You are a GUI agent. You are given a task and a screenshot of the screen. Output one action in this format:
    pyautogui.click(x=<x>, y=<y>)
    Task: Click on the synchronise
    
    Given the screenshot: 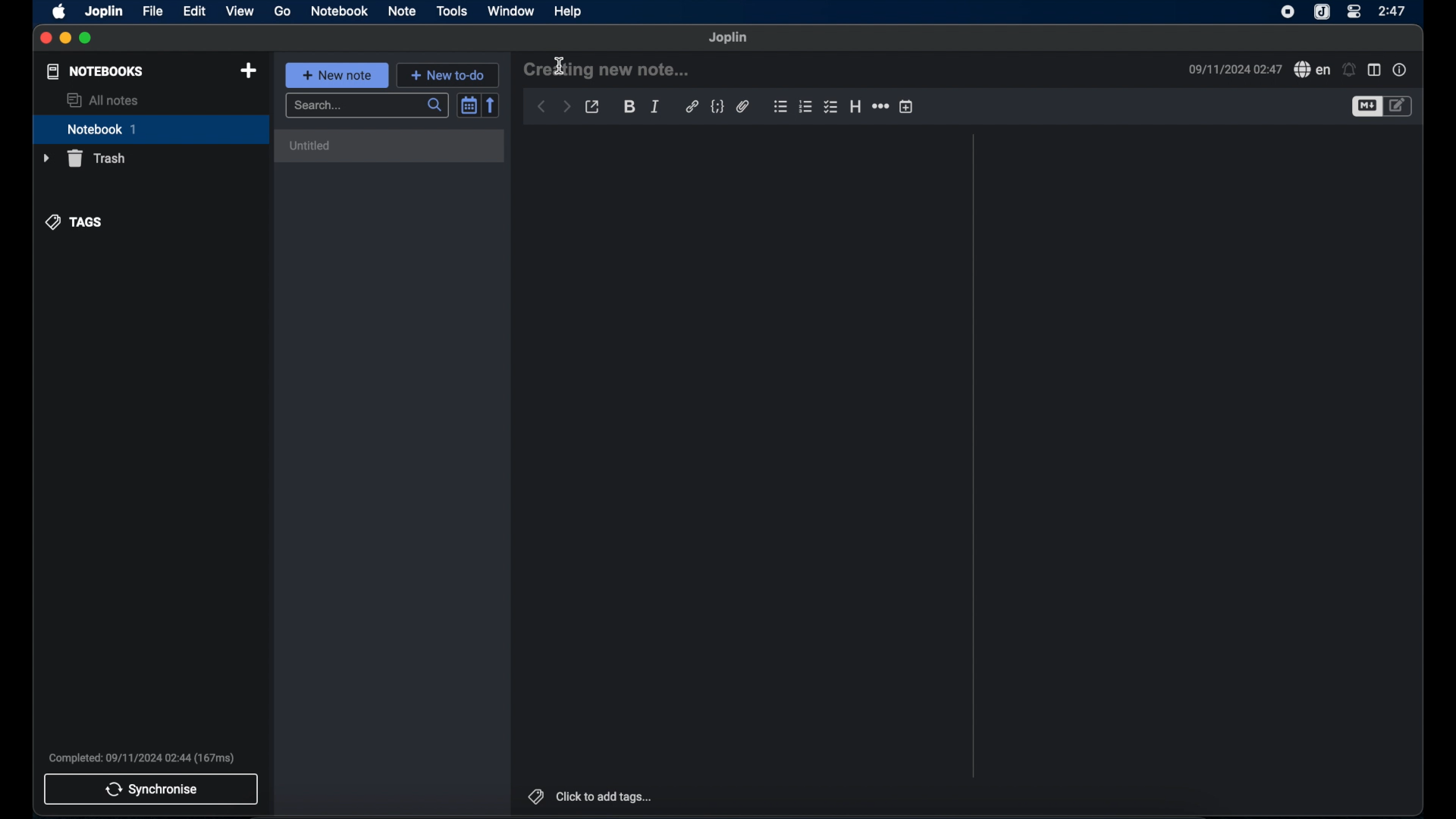 What is the action you would take?
    pyautogui.click(x=152, y=789)
    